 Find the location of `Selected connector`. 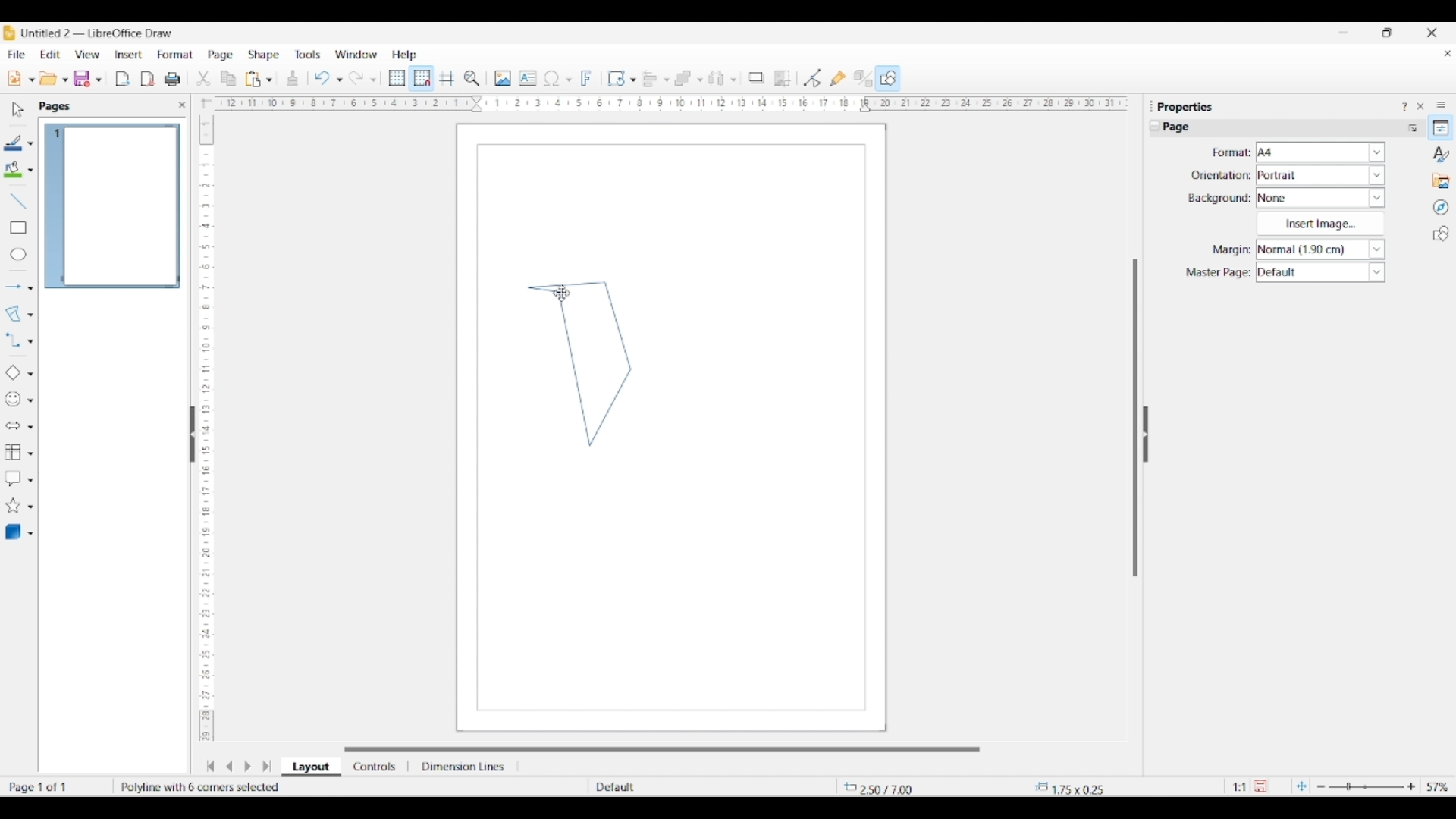

Selected connector is located at coordinates (12, 339).